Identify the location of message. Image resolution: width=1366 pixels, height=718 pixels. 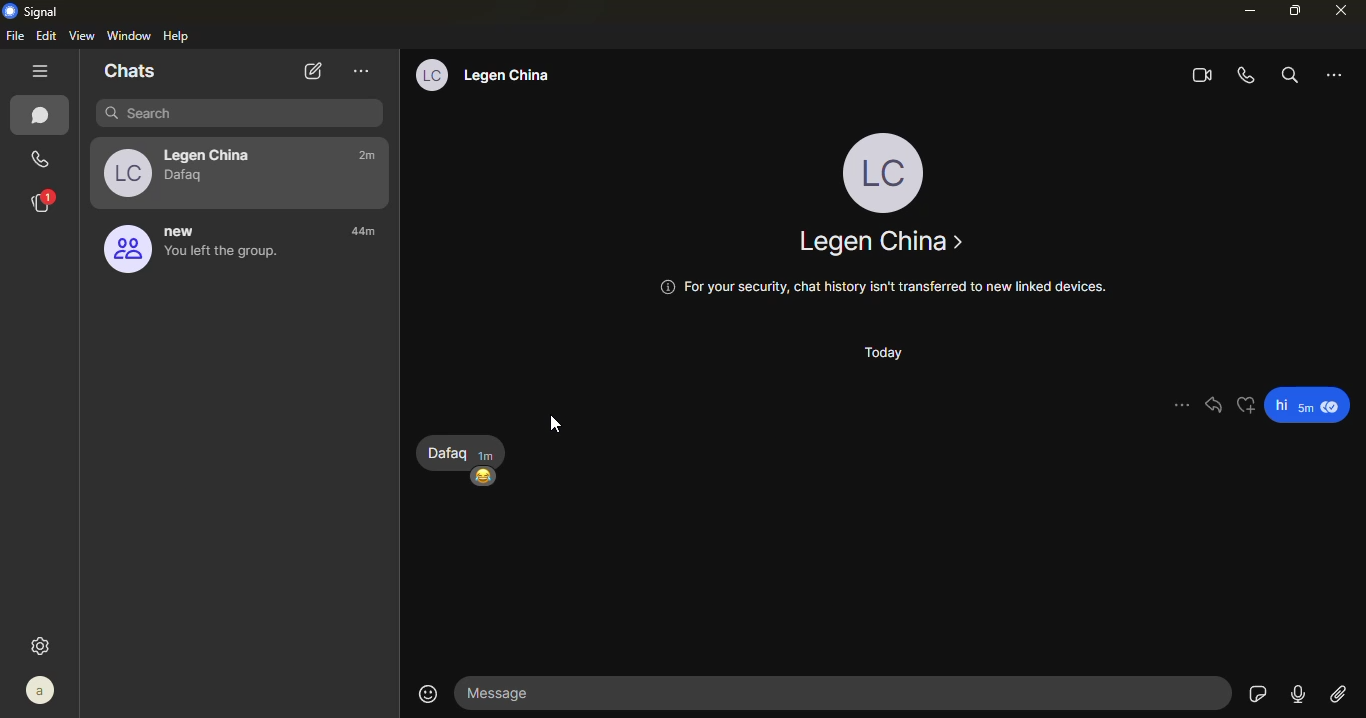
(847, 690).